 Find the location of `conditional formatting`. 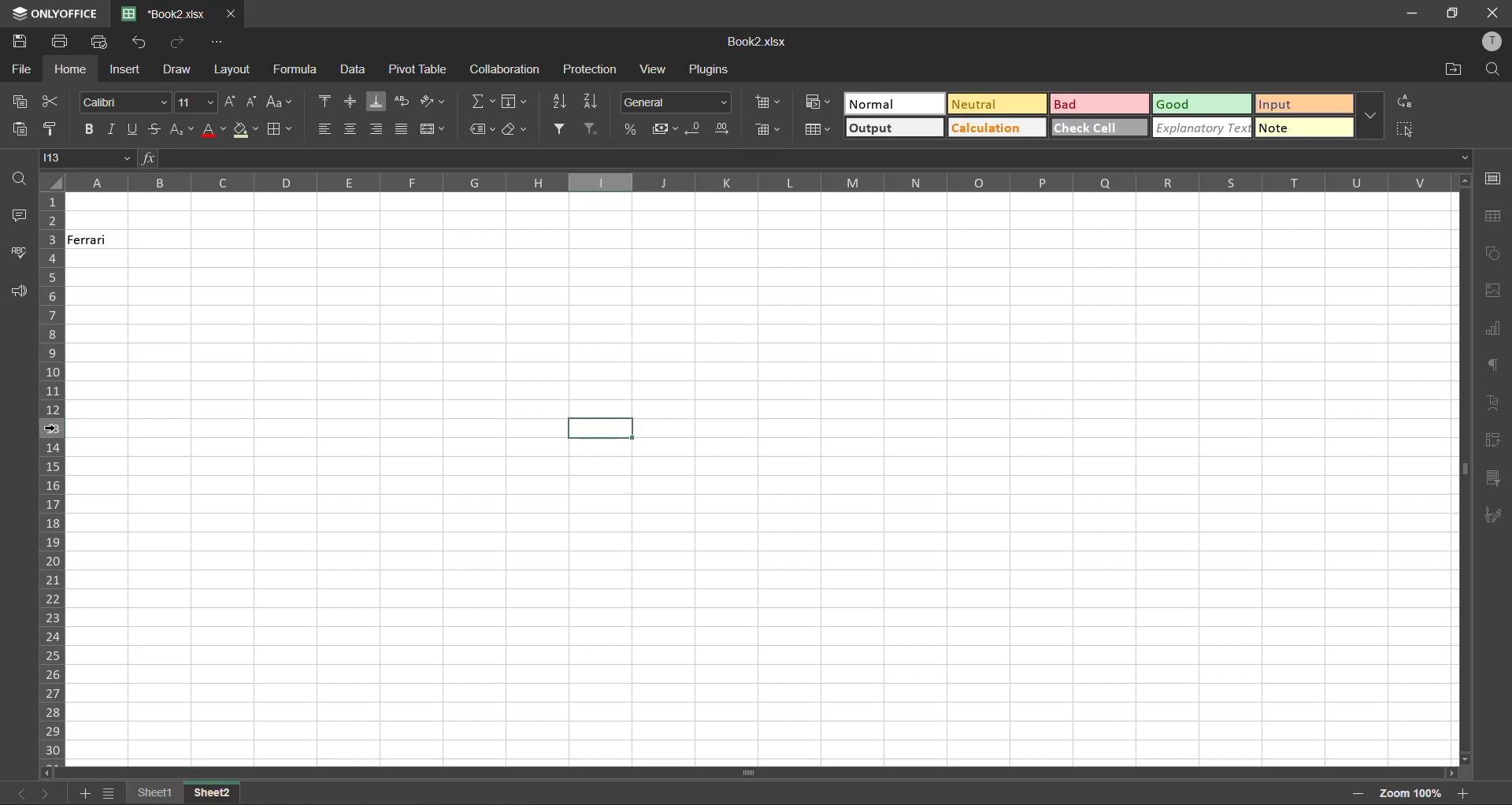

conditional formatting is located at coordinates (817, 102).